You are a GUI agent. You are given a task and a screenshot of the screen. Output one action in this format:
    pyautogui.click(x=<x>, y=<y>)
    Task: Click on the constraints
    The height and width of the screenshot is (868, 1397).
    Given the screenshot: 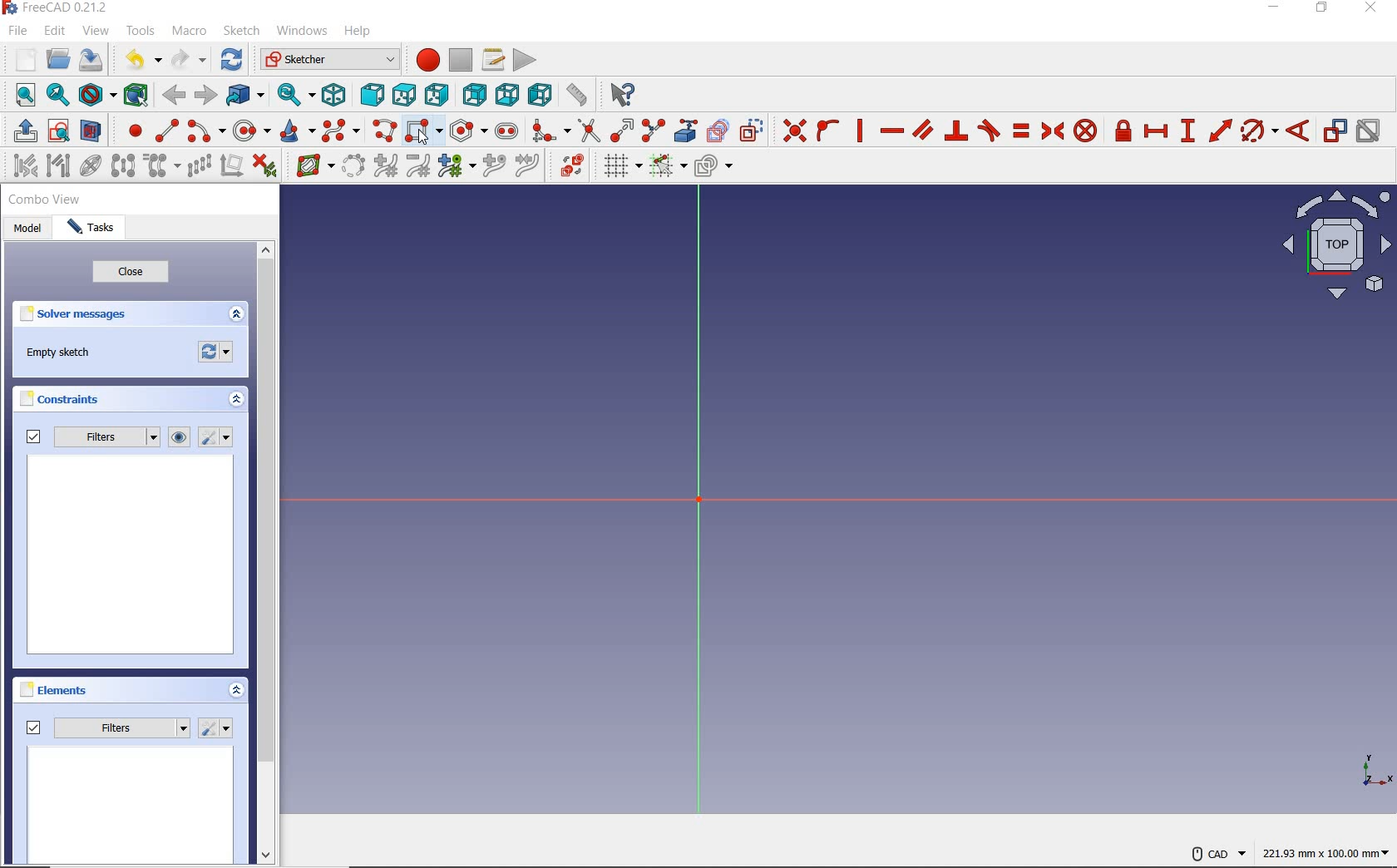 What is the action you would take?
    pyautogui.click(x=64, y=402)
    